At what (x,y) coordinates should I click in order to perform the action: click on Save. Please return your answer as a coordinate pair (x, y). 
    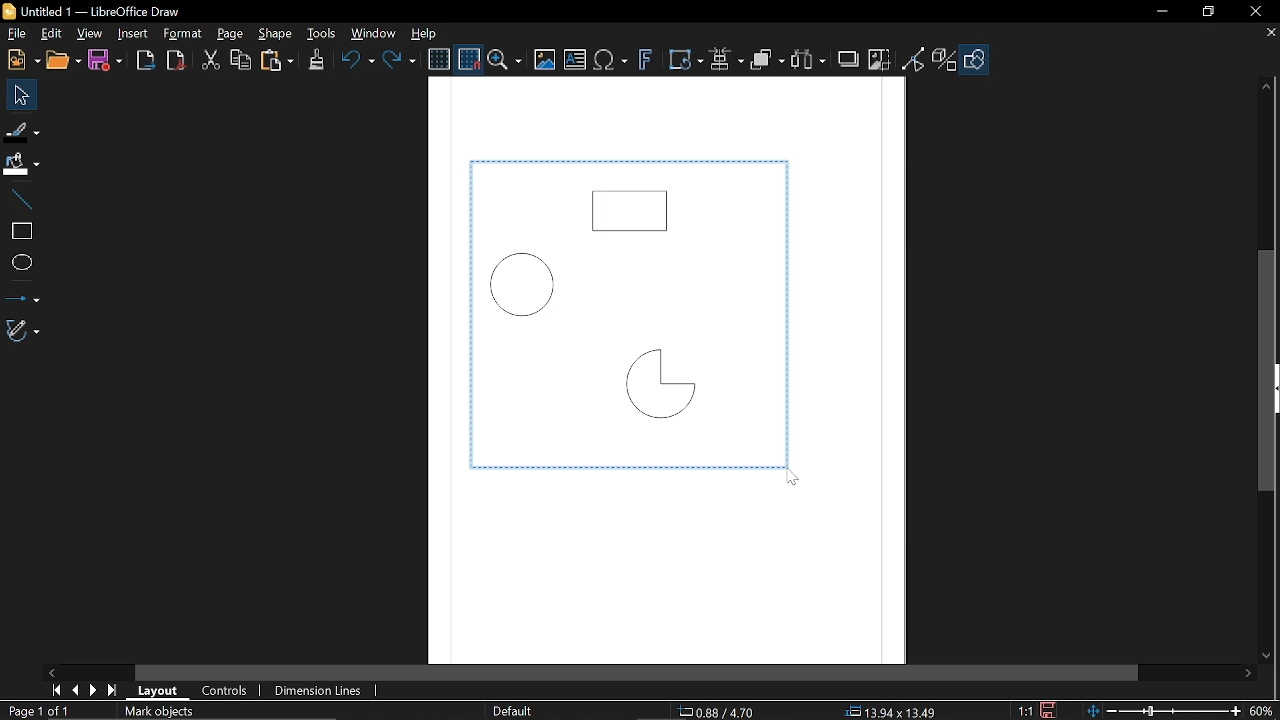
    Looking at the image, I should click on (106, 60).